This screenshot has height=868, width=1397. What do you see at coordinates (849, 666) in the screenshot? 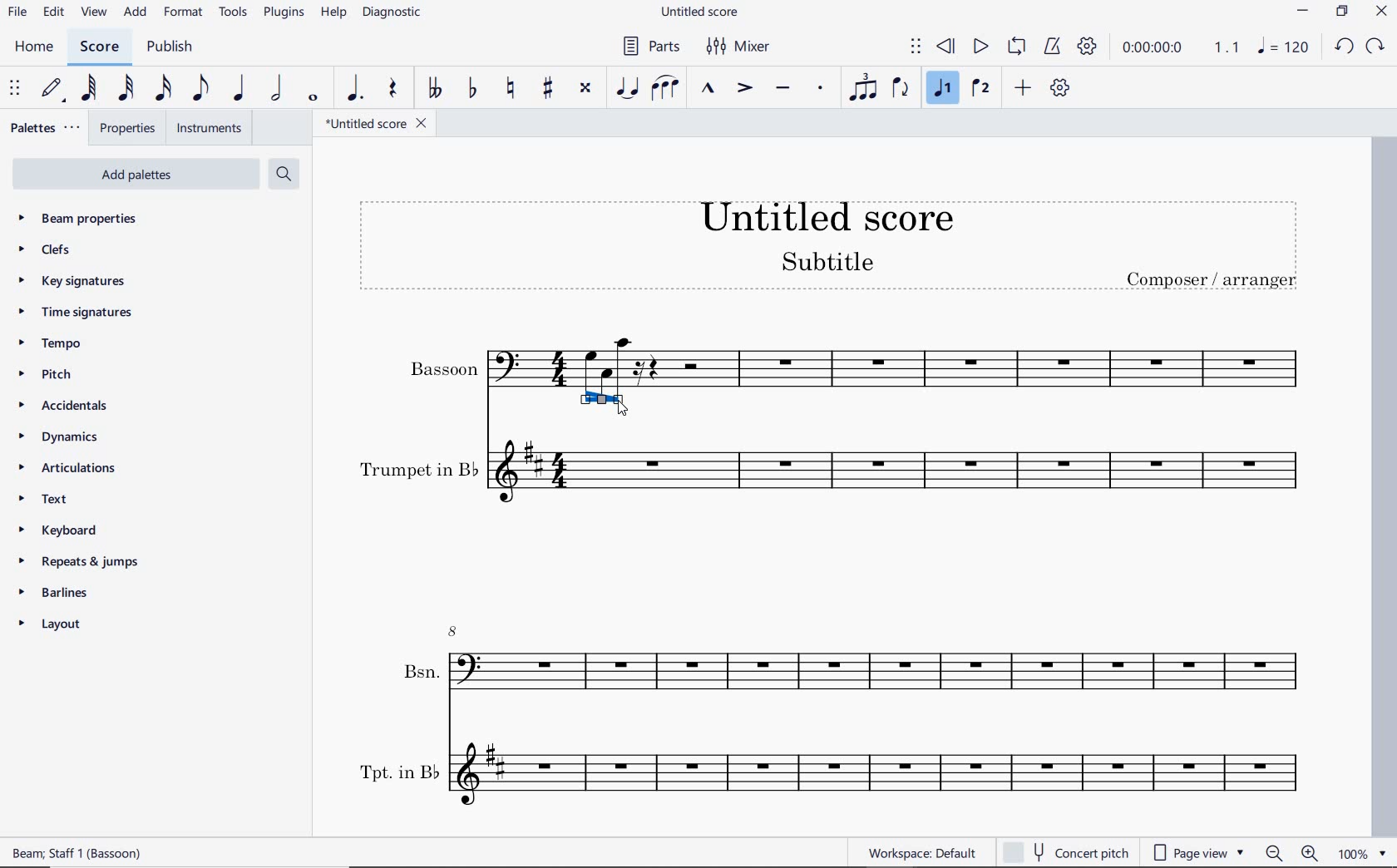
I see `Bsn.` at bounding box center [849, 666].